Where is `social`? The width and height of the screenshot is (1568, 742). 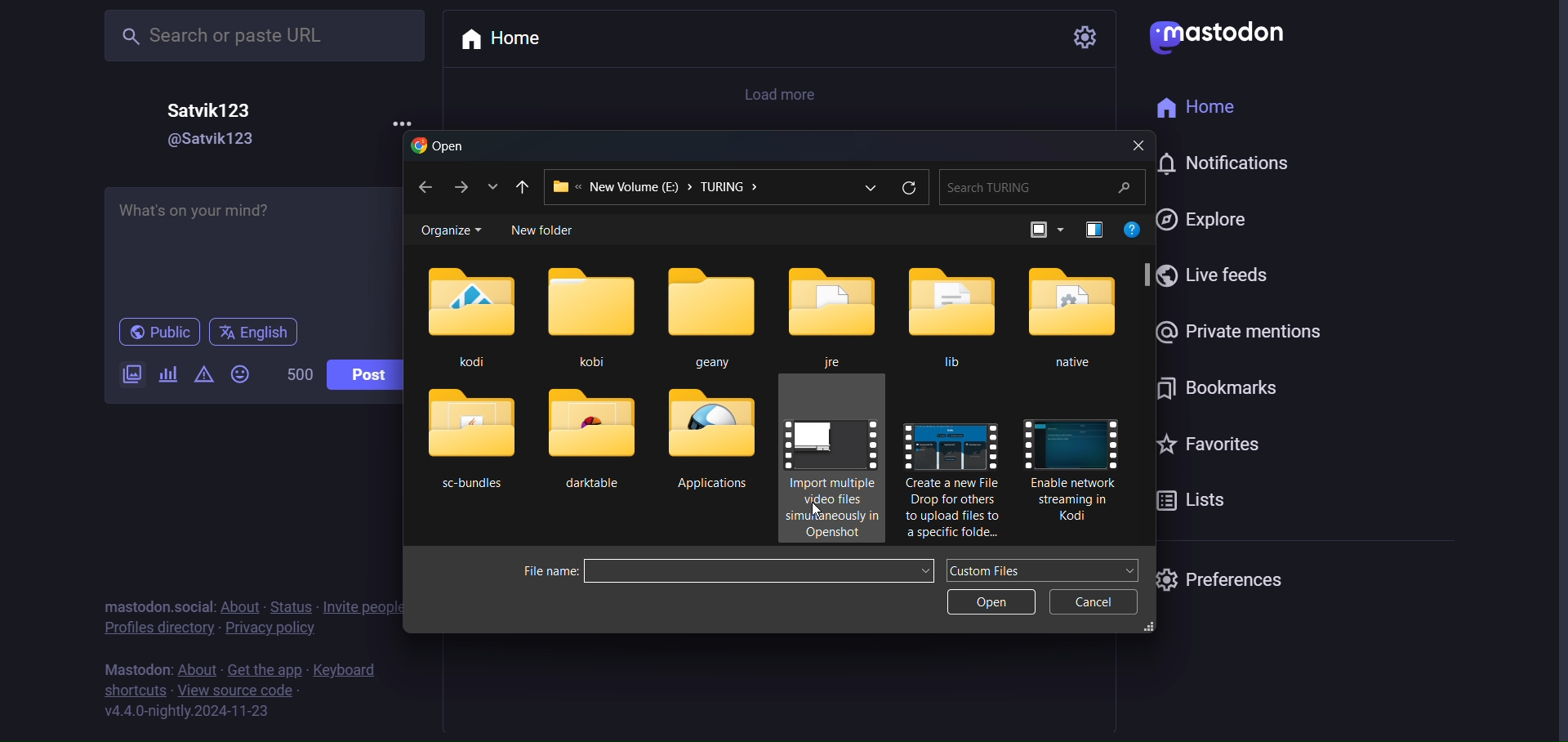
social is located at coordinates (193, 606).